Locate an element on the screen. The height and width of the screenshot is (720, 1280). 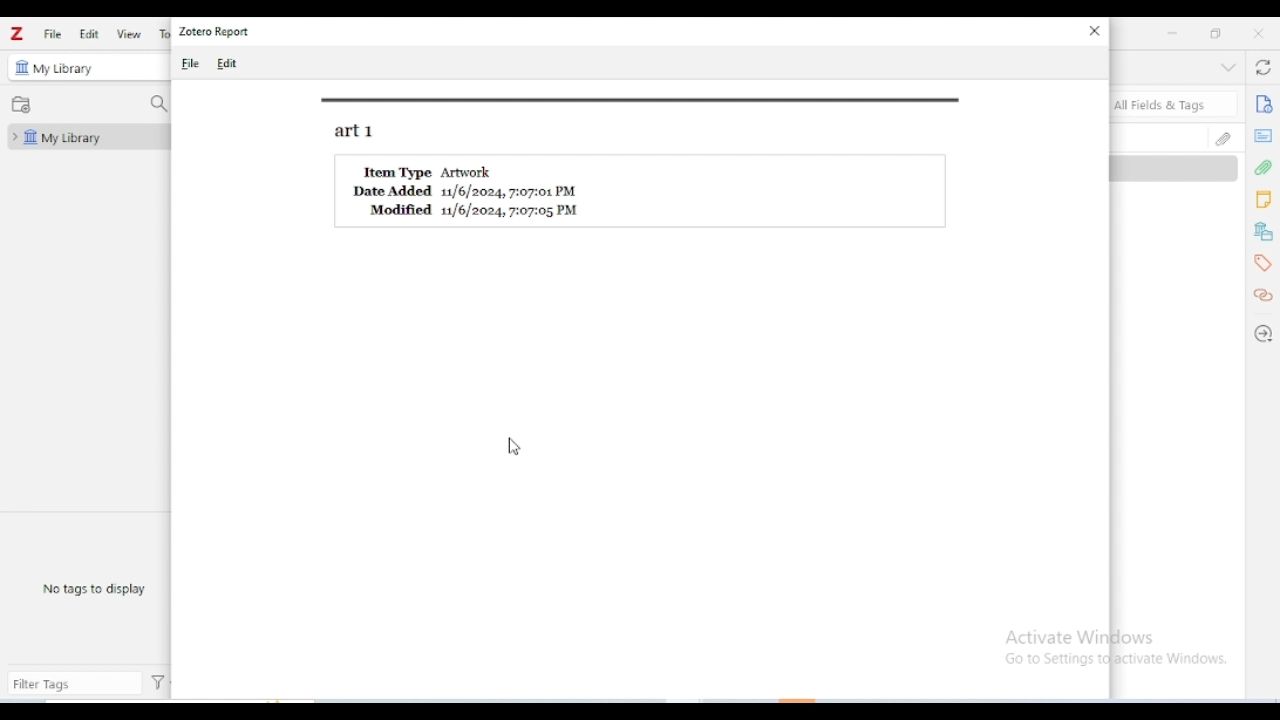
maximize is located at coordinates (1214, 32).